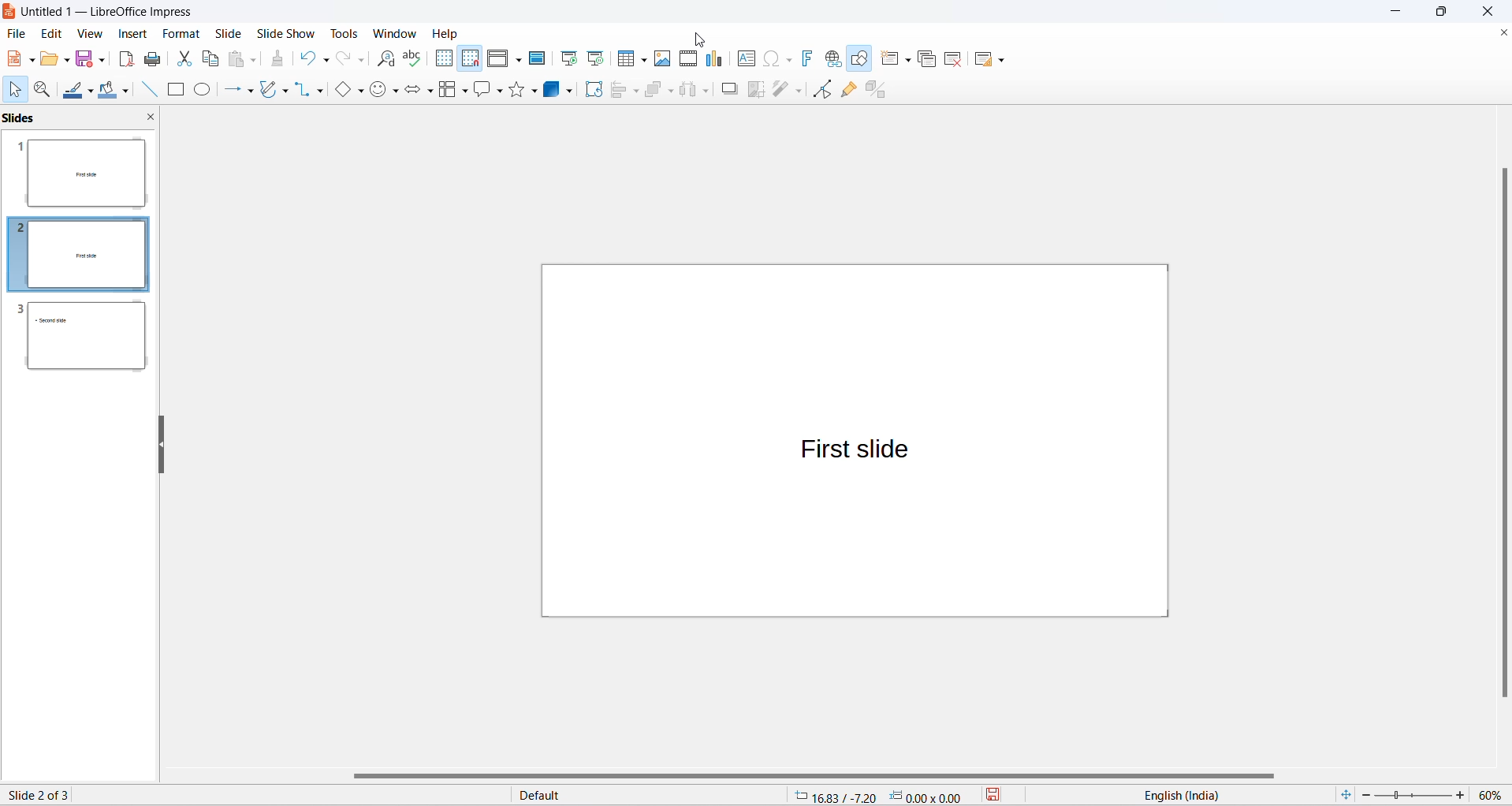  Describe the element at coordinates (732, 91) in the screenshot. I see `shadow` at that location.